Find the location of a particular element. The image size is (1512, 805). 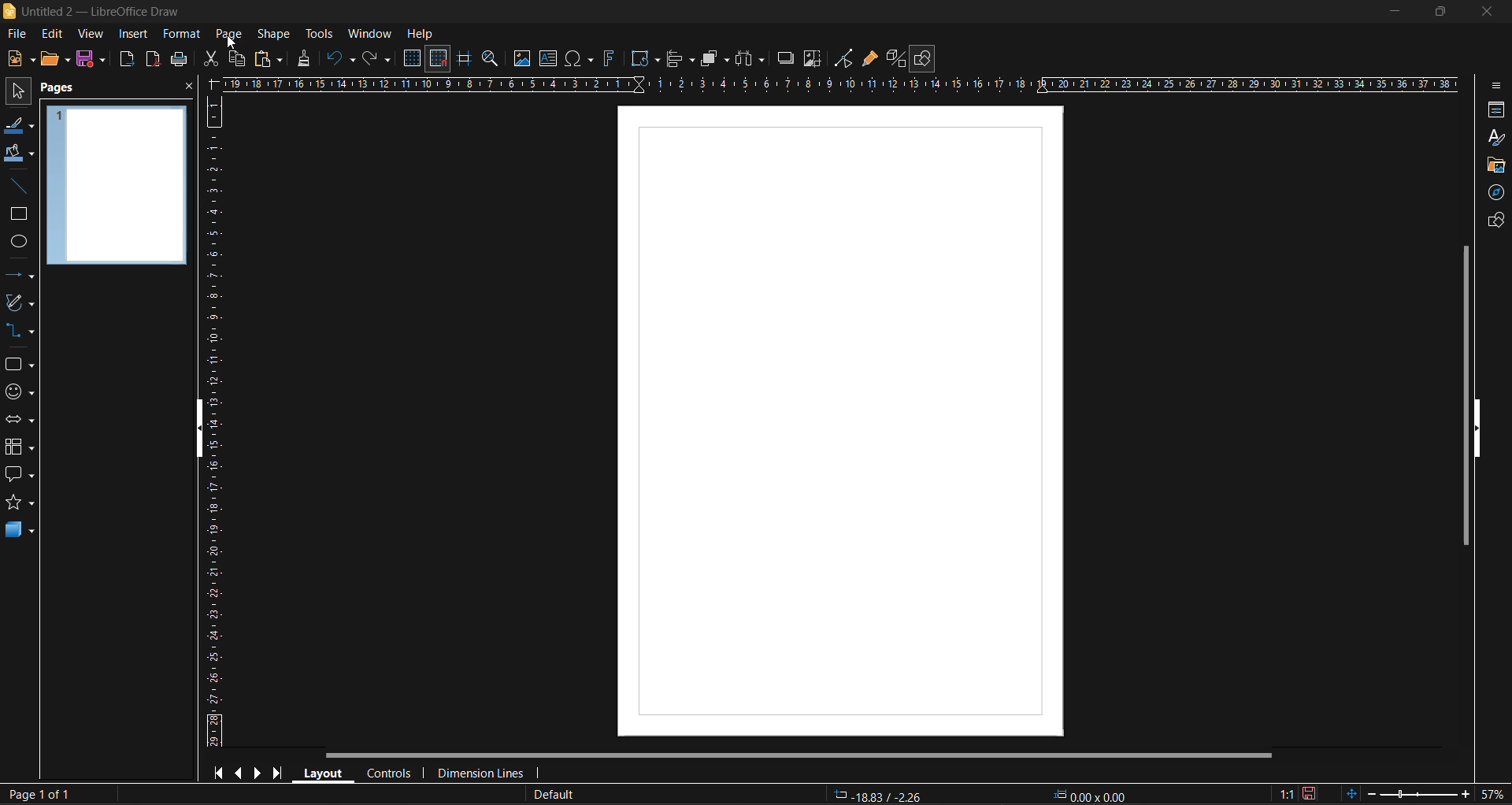

rectangle is located at coordinates (18, 214).